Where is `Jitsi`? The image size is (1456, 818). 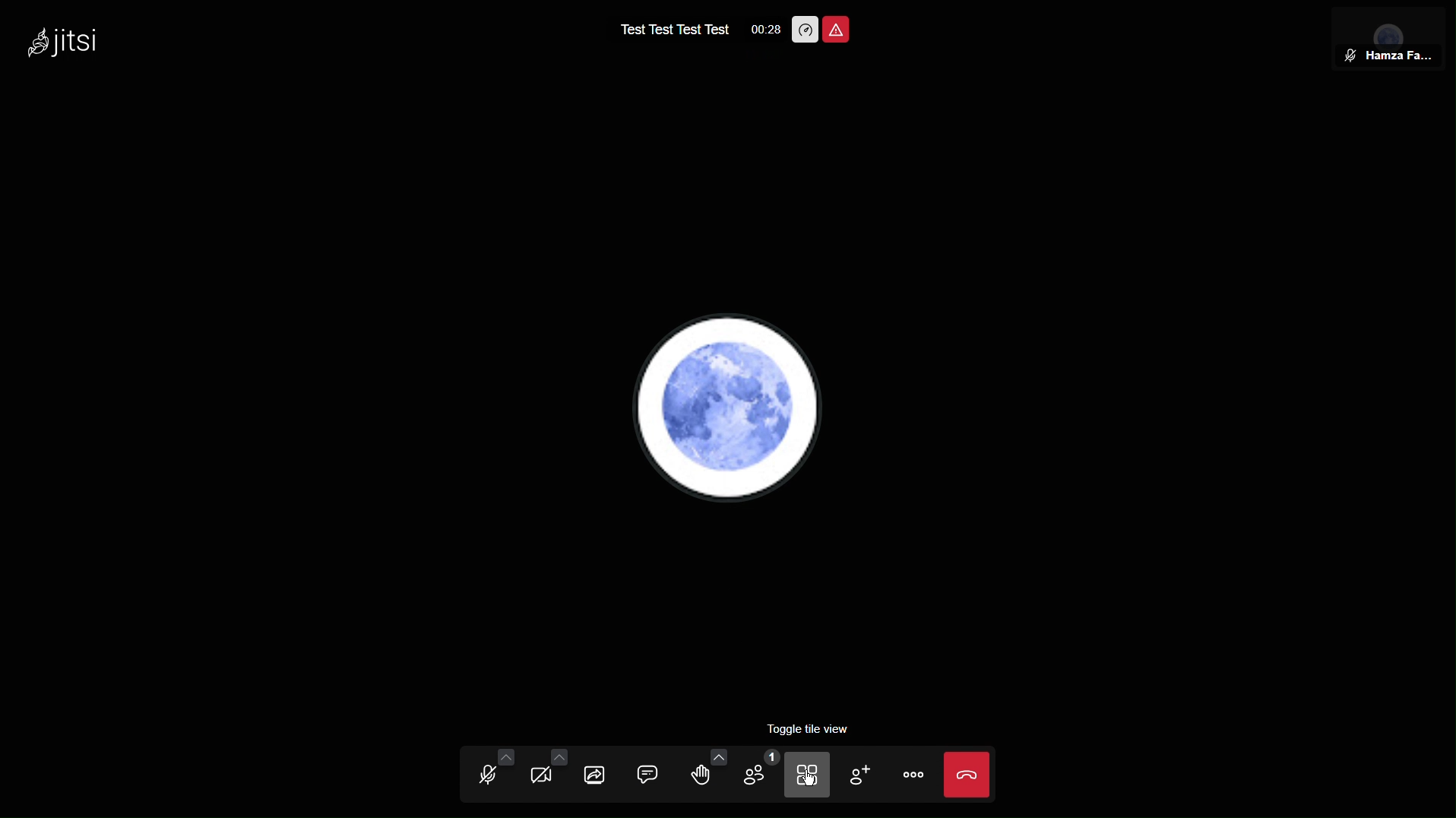
Jitsi is located at coordinates (59, 40).